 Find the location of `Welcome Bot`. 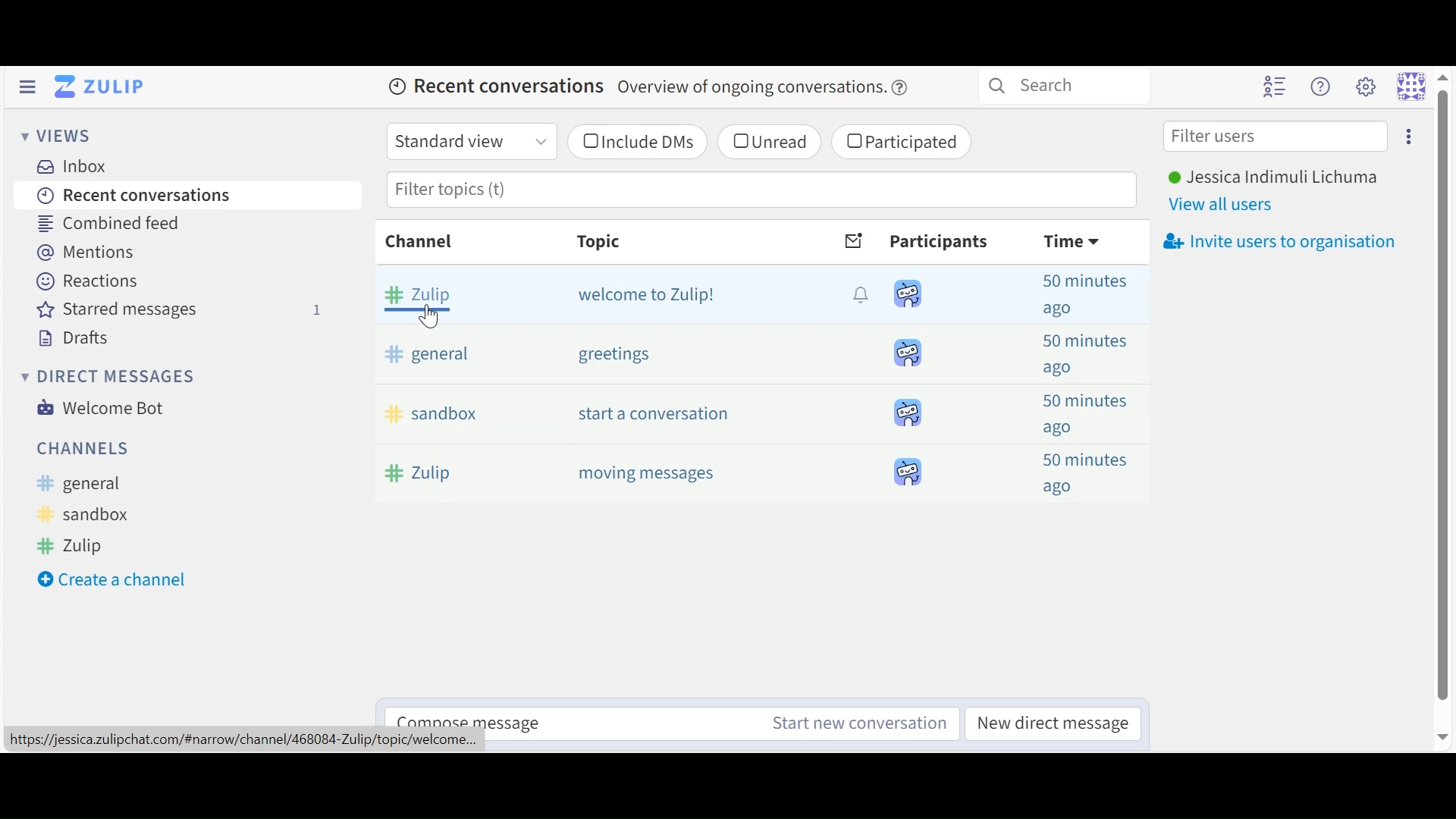

Welcome Bot is located at coordinates (101, 409).